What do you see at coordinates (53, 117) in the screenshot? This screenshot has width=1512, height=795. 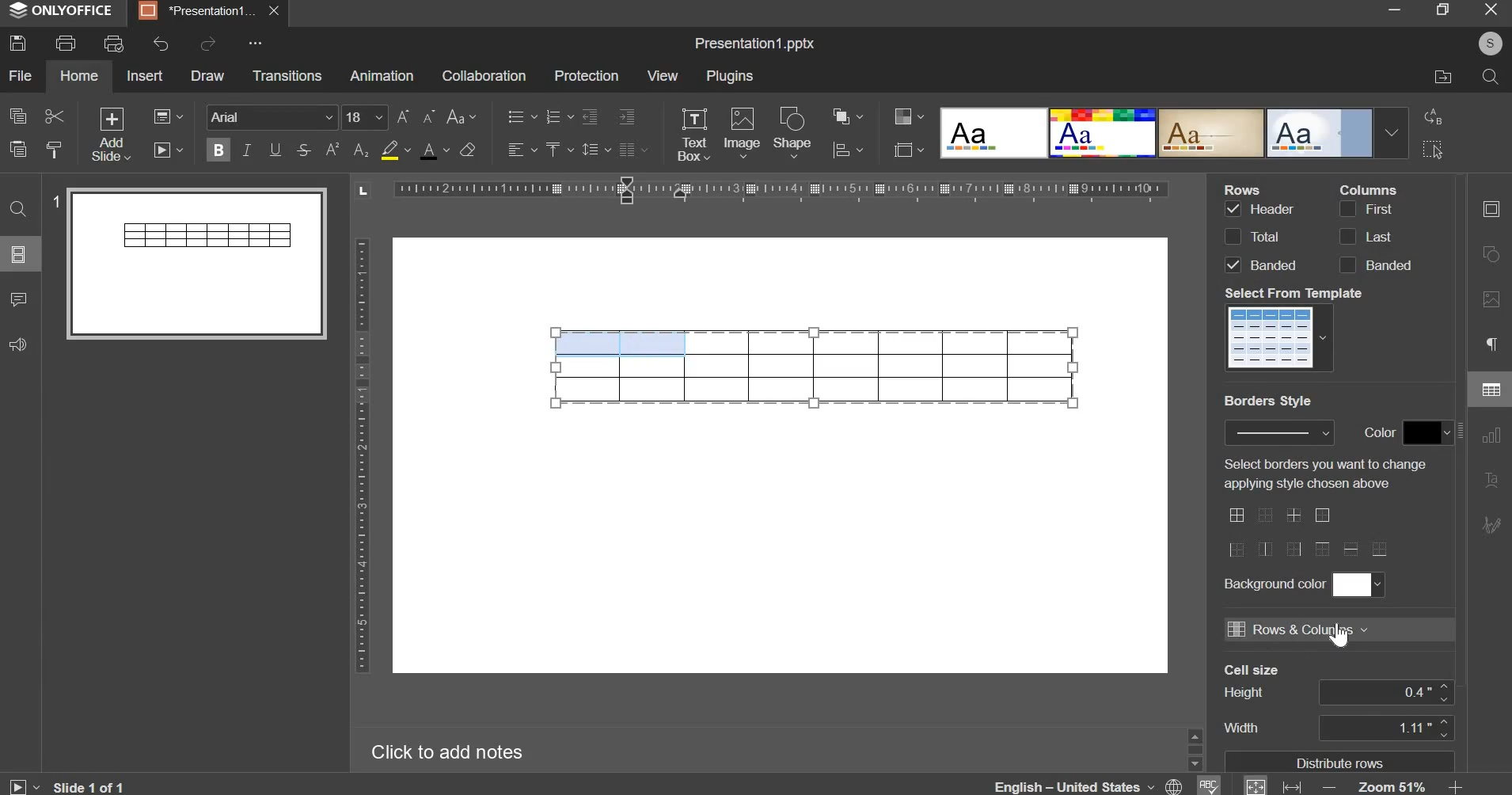 I see `cut` at bounding box center [53, 117].